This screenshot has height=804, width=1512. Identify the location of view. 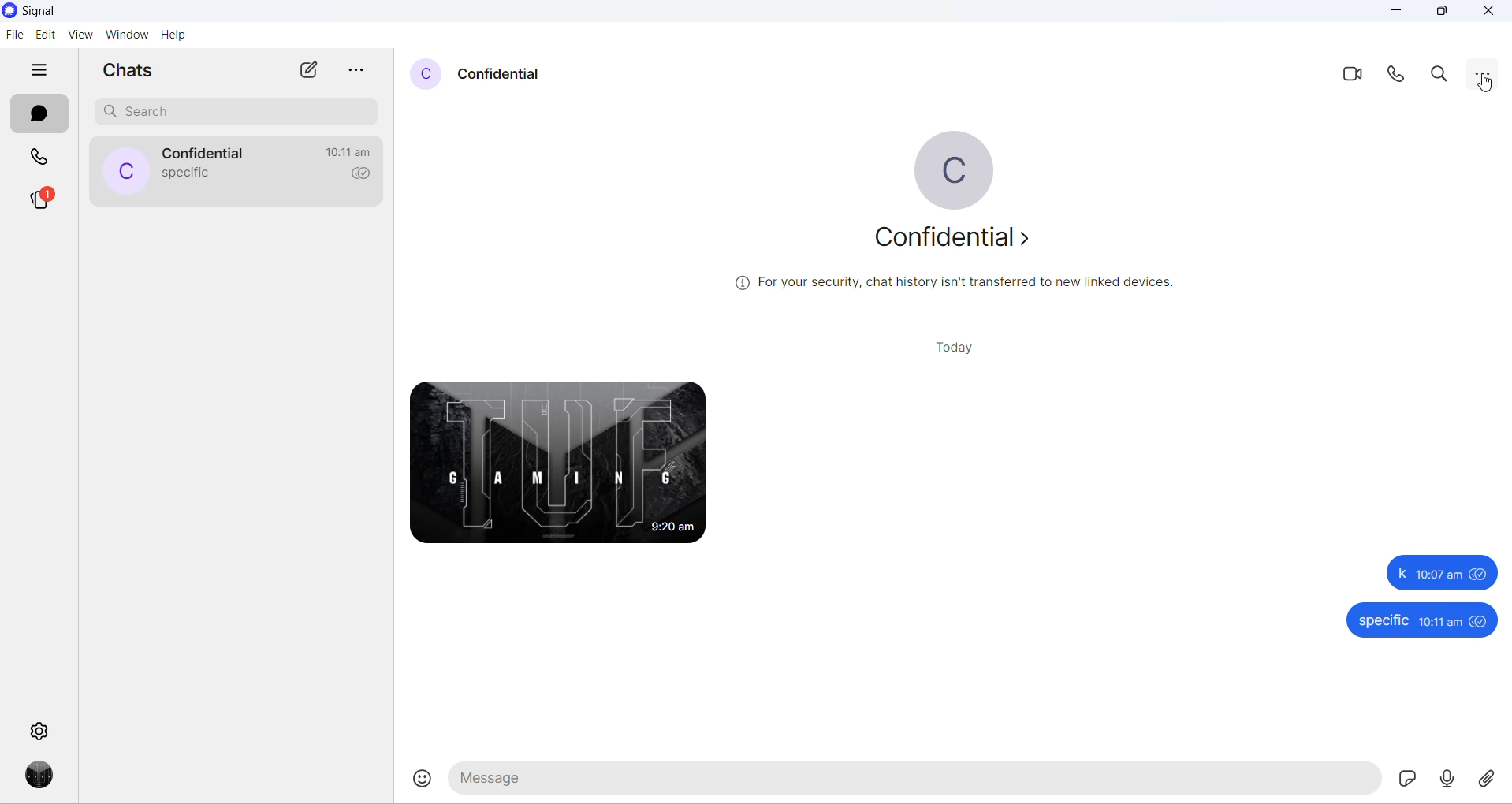
(78, 36).